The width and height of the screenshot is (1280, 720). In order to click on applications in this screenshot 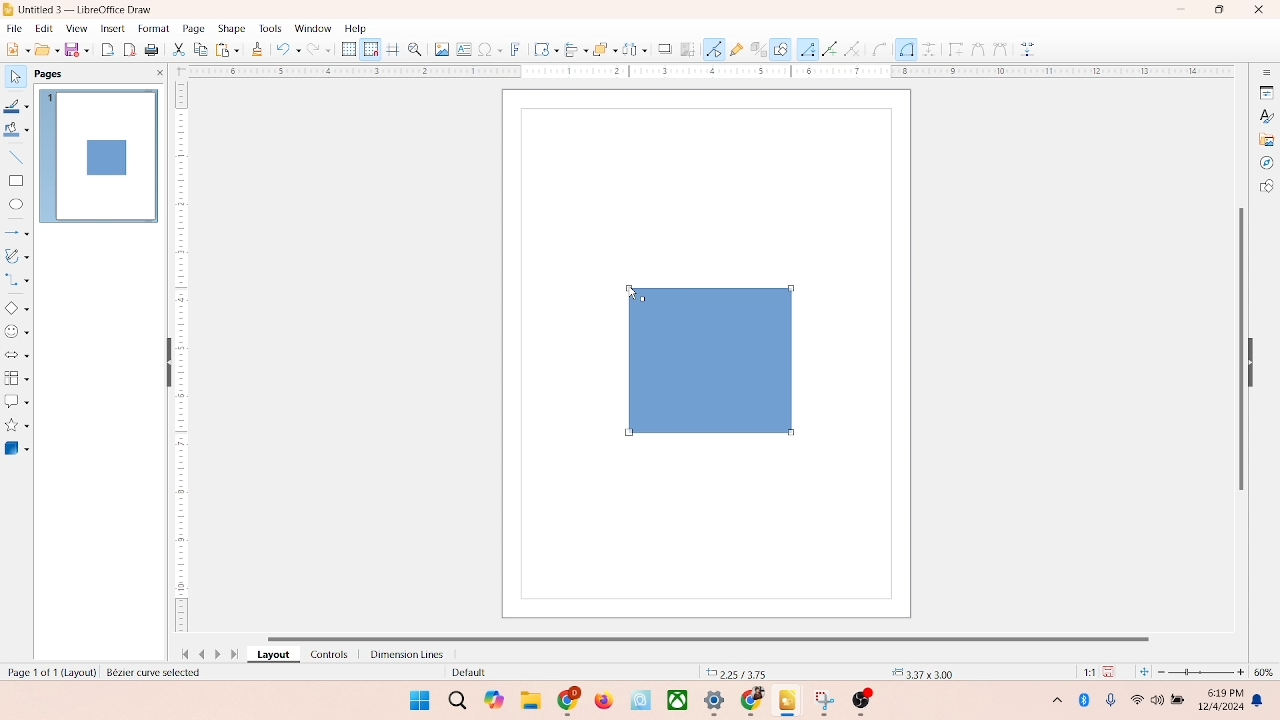, I will do `click(721, 702)`.